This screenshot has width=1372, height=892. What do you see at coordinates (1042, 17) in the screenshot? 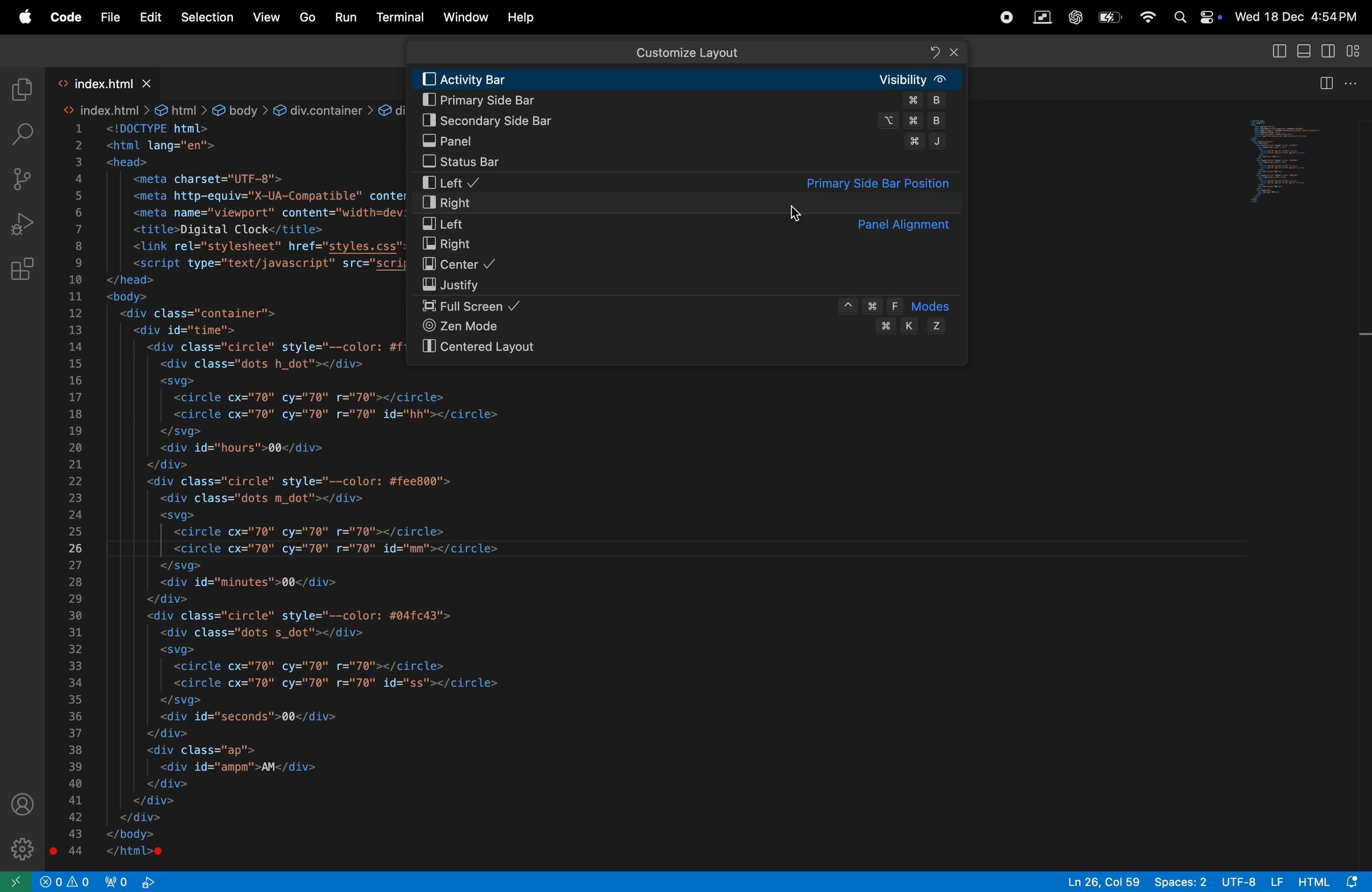
I see `parllel` at bounding box center [1042, 17].